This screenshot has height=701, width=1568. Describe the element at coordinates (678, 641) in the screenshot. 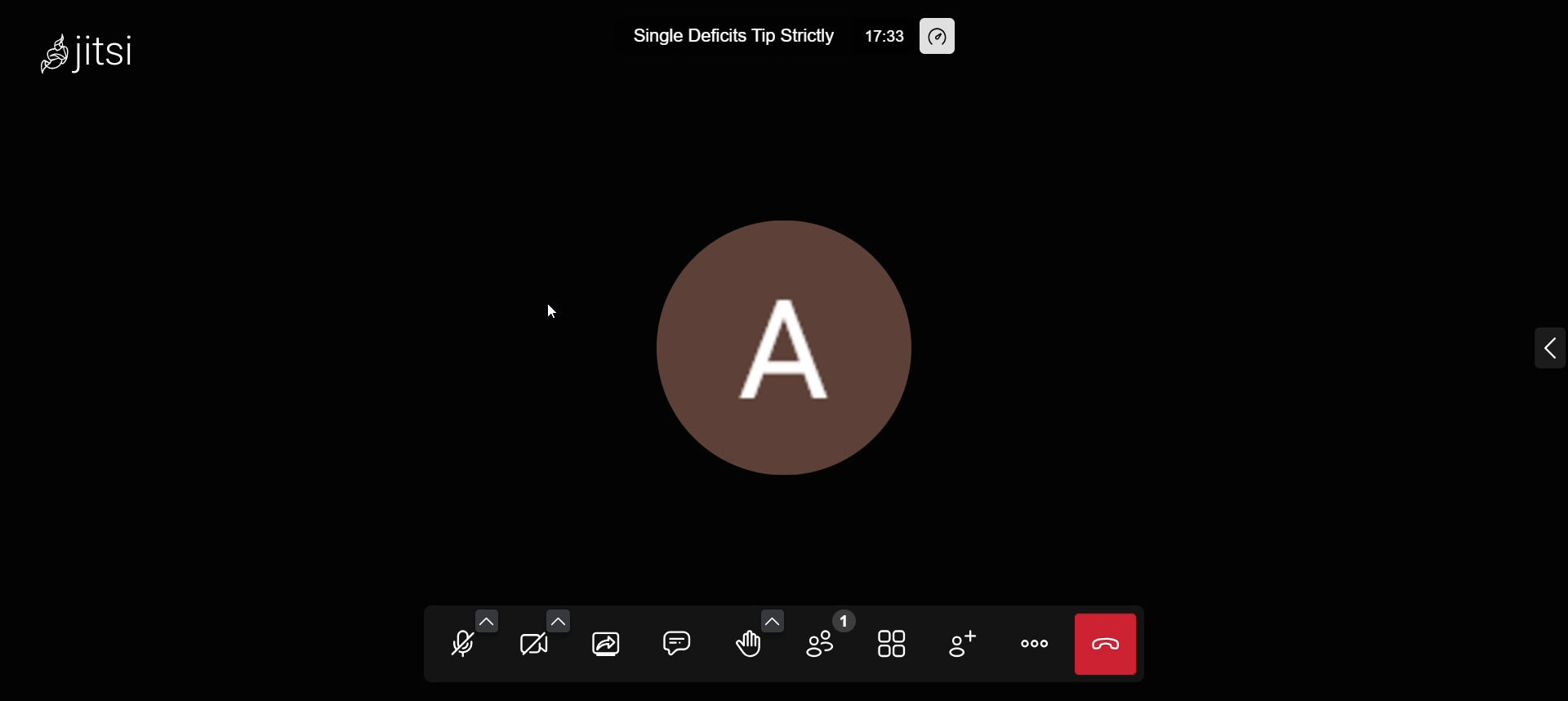

I see `open chat` at that location.